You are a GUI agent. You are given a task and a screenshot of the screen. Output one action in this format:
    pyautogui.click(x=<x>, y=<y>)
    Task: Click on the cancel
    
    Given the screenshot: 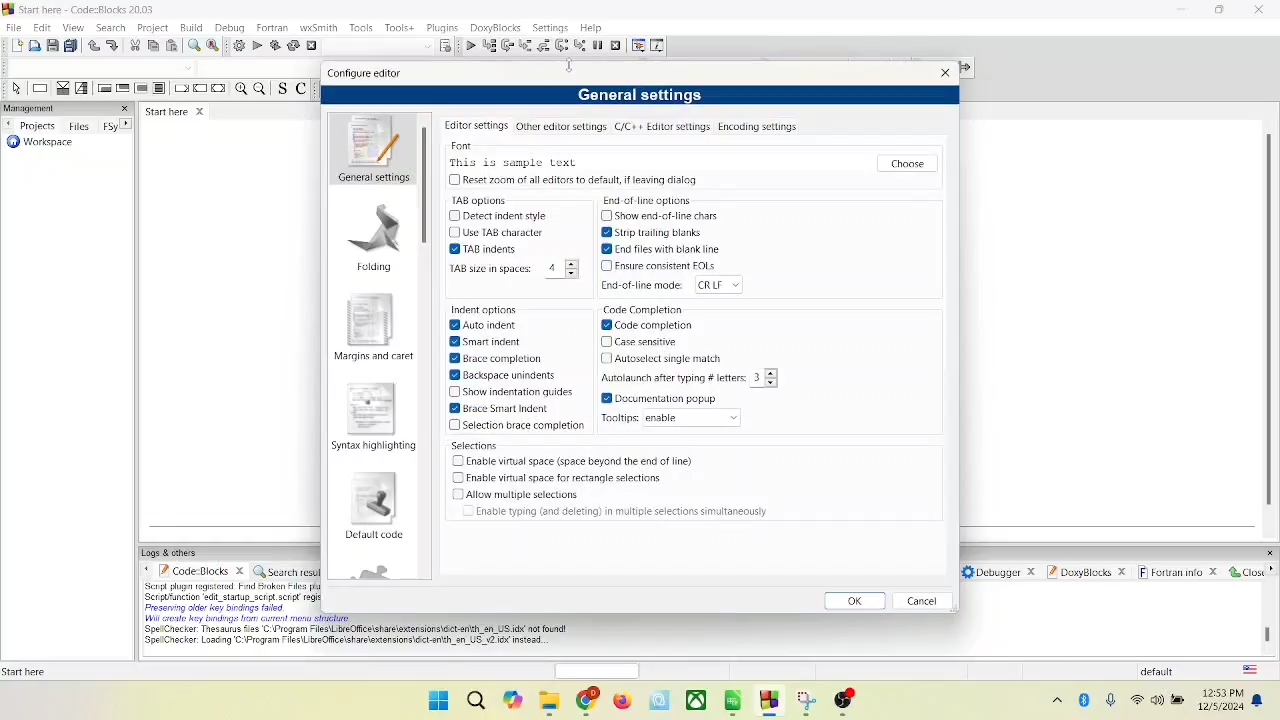 What is the action you would take?
    pyautogui.click(x=924, y=601)
    